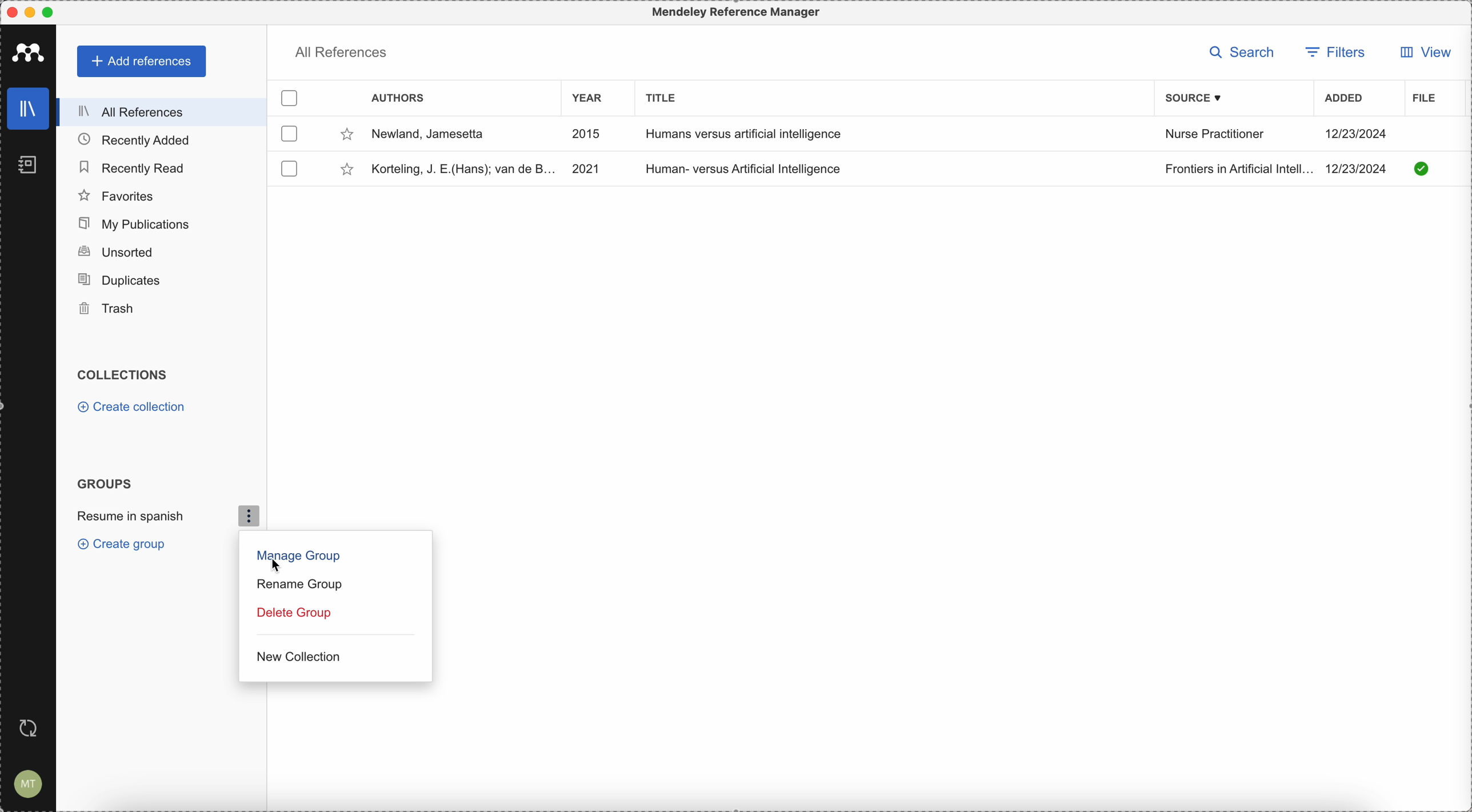 The height and width of the screenshot is (812, 1472). I want to click on close program, so click(9, 10).